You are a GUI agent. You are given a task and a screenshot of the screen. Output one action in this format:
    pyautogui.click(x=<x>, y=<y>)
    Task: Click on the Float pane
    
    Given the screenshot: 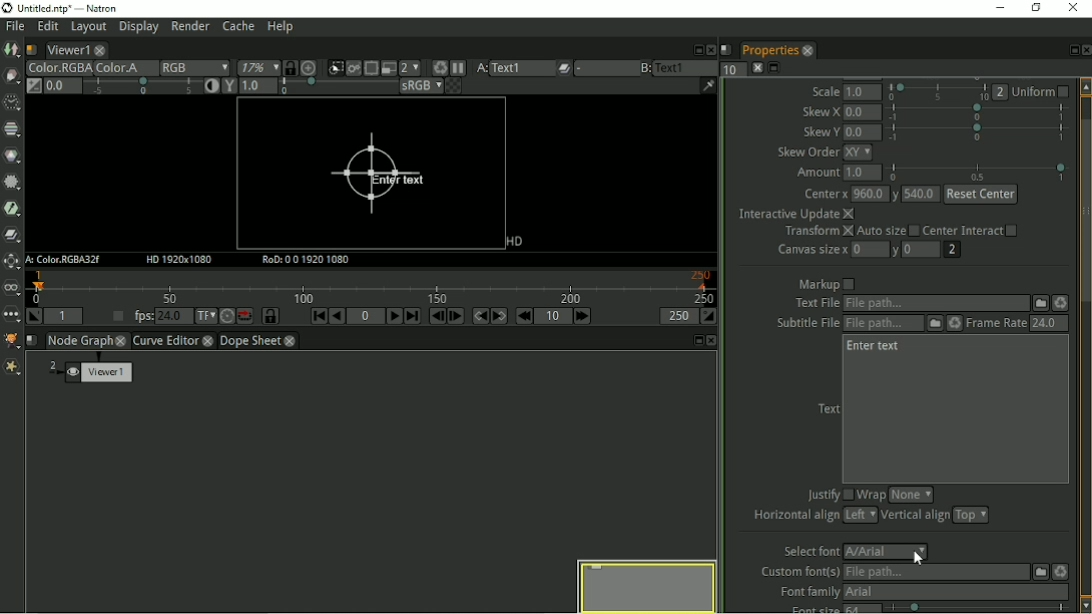 What is the action you would take?
    pyautogui.click(x=1070, y=50)
    